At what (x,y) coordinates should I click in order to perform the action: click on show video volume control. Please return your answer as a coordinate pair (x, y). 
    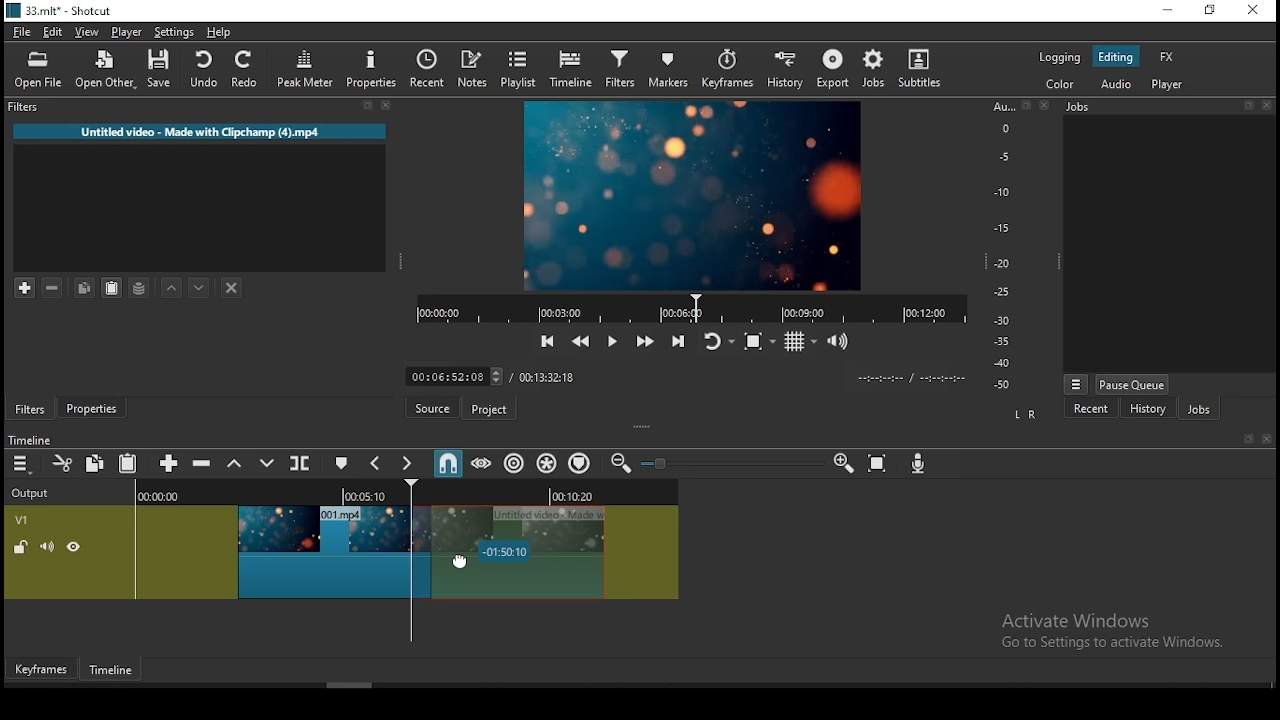
    Looking at the image, I should click on (837, 337).